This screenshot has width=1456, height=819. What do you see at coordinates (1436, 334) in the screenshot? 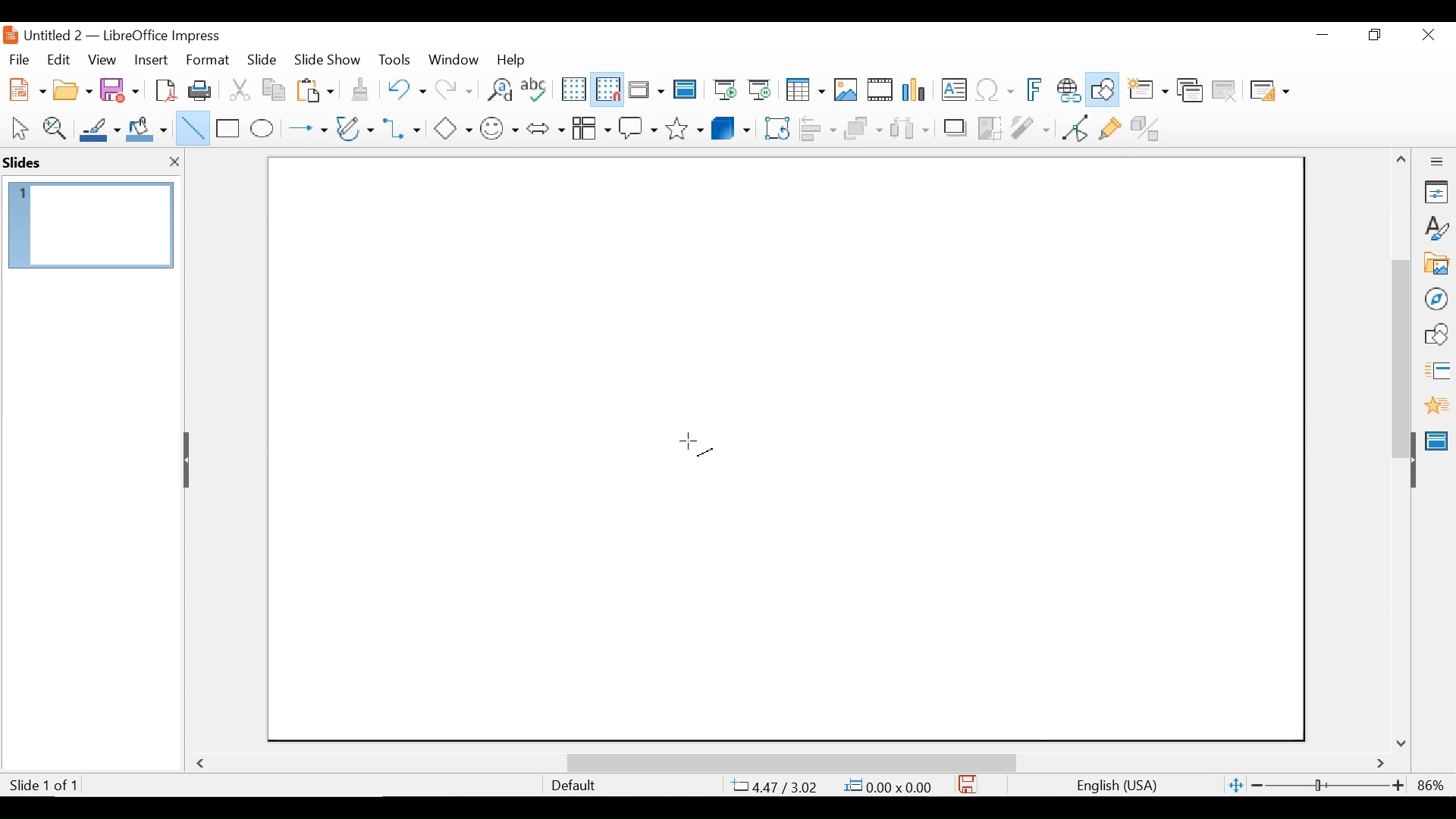
I see `Shapes` at bounding box center [1436, 334].